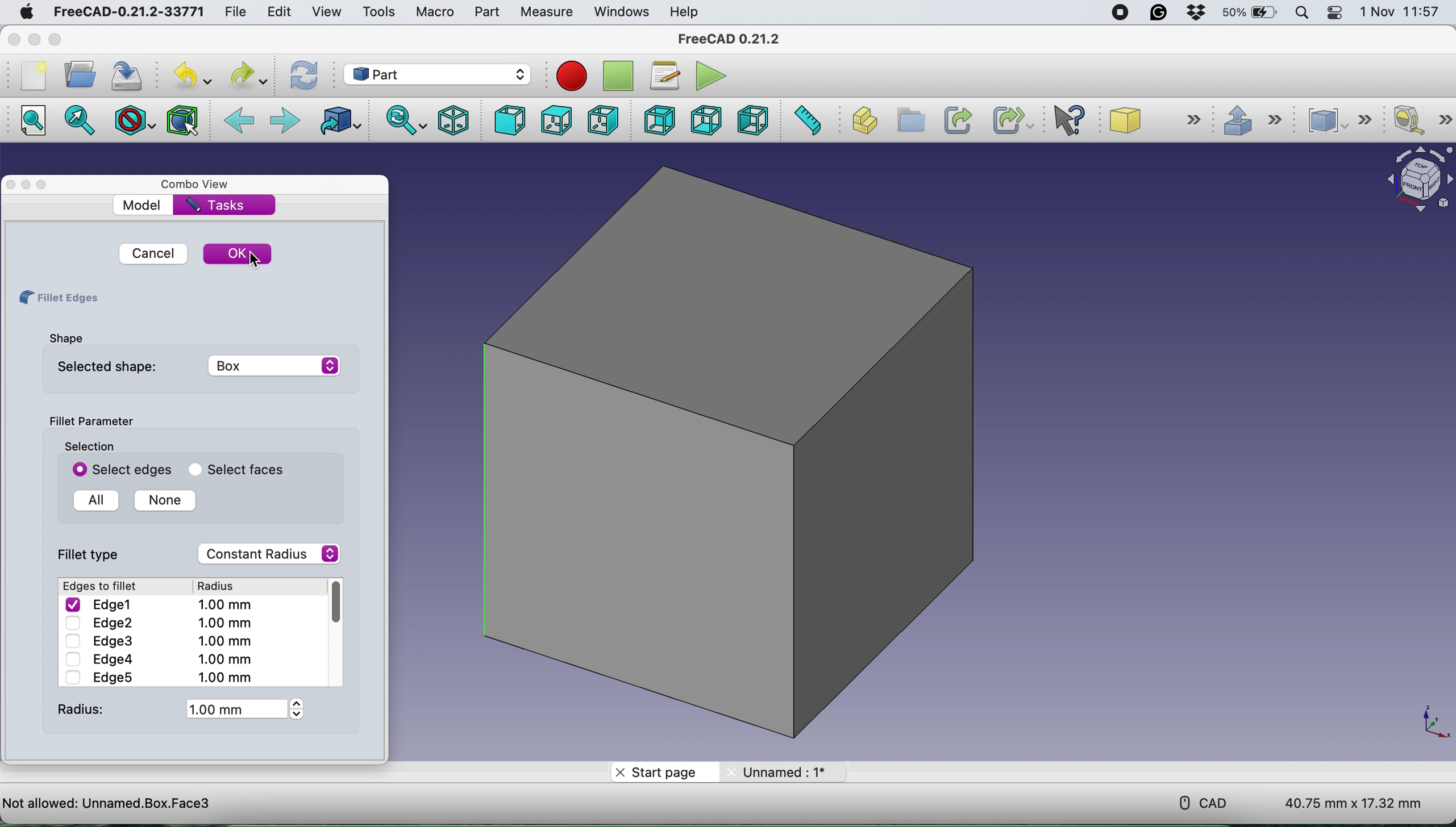  Describe the element at coordinates (336, 602) in the screenshot. I see `vertical slider` at that location.